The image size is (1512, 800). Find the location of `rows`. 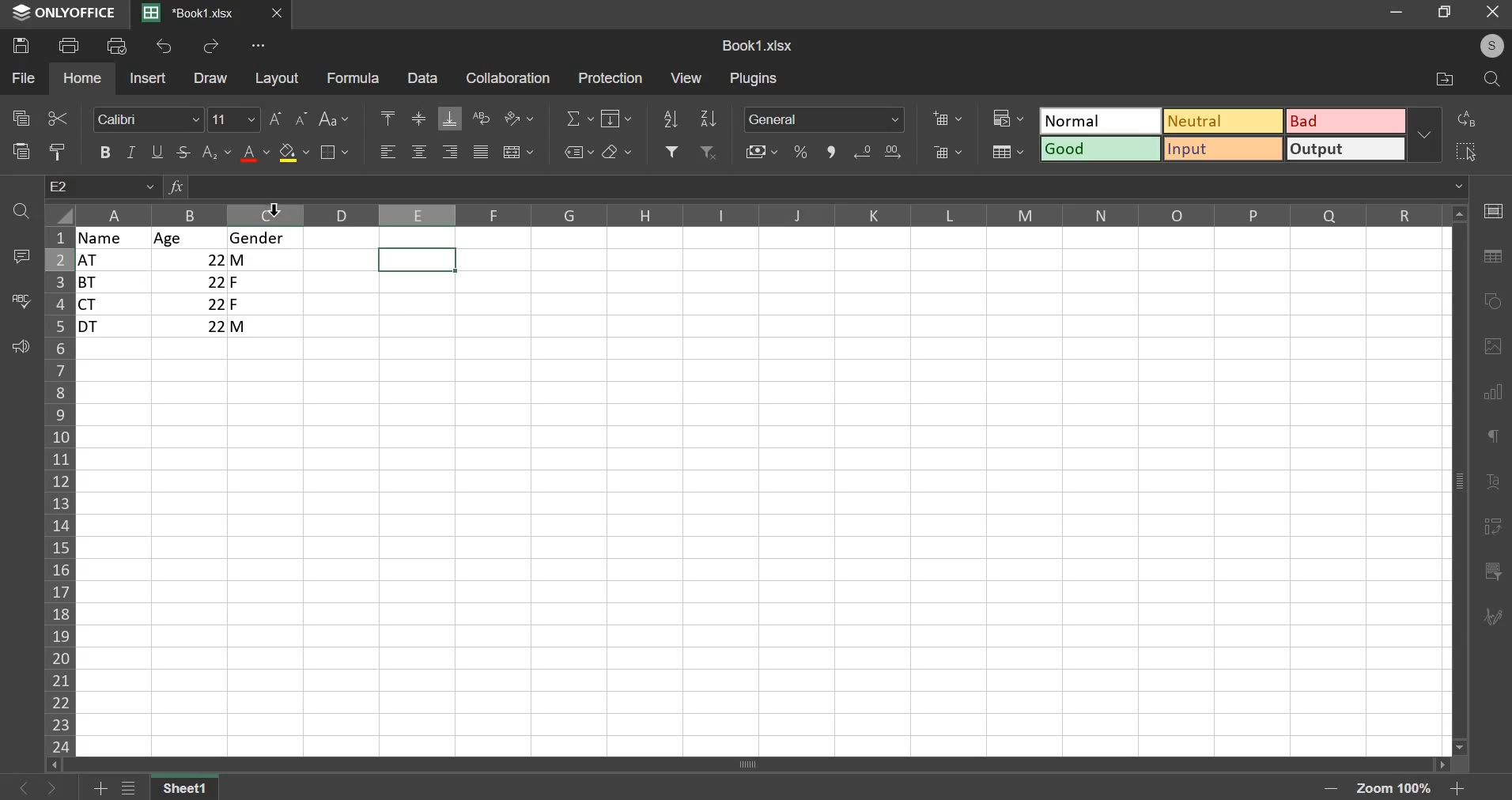

rows is located at coordinates (57, 492).